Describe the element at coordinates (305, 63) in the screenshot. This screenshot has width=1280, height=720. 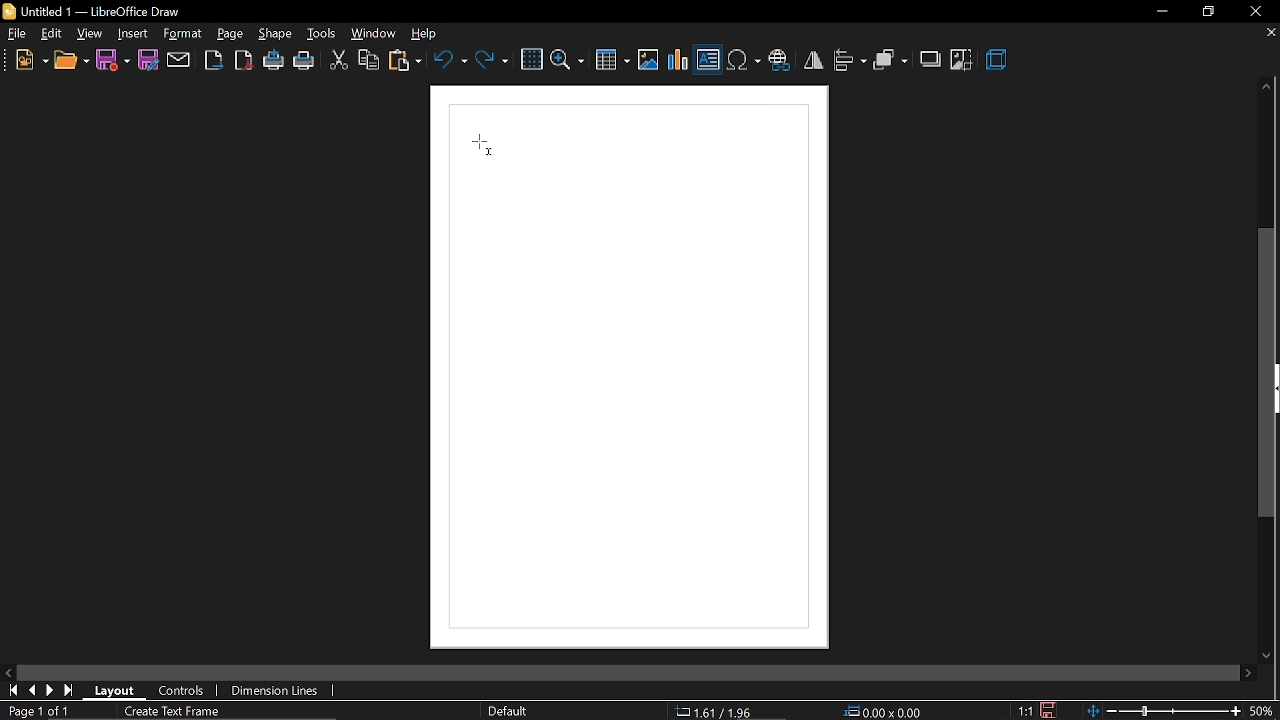
I see `print` at that location.